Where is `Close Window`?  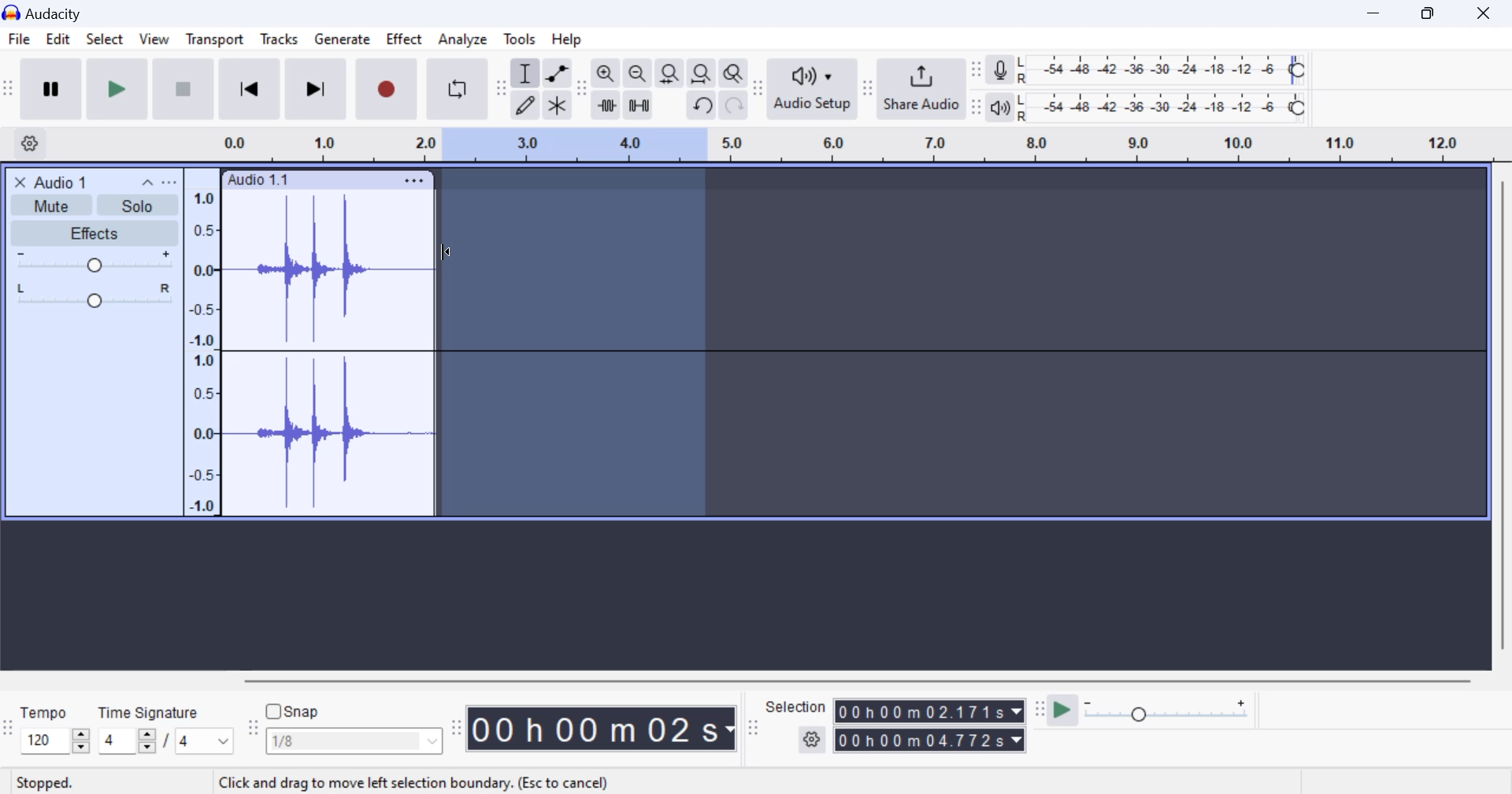 Close Window is located at coordinates (1488, 11).